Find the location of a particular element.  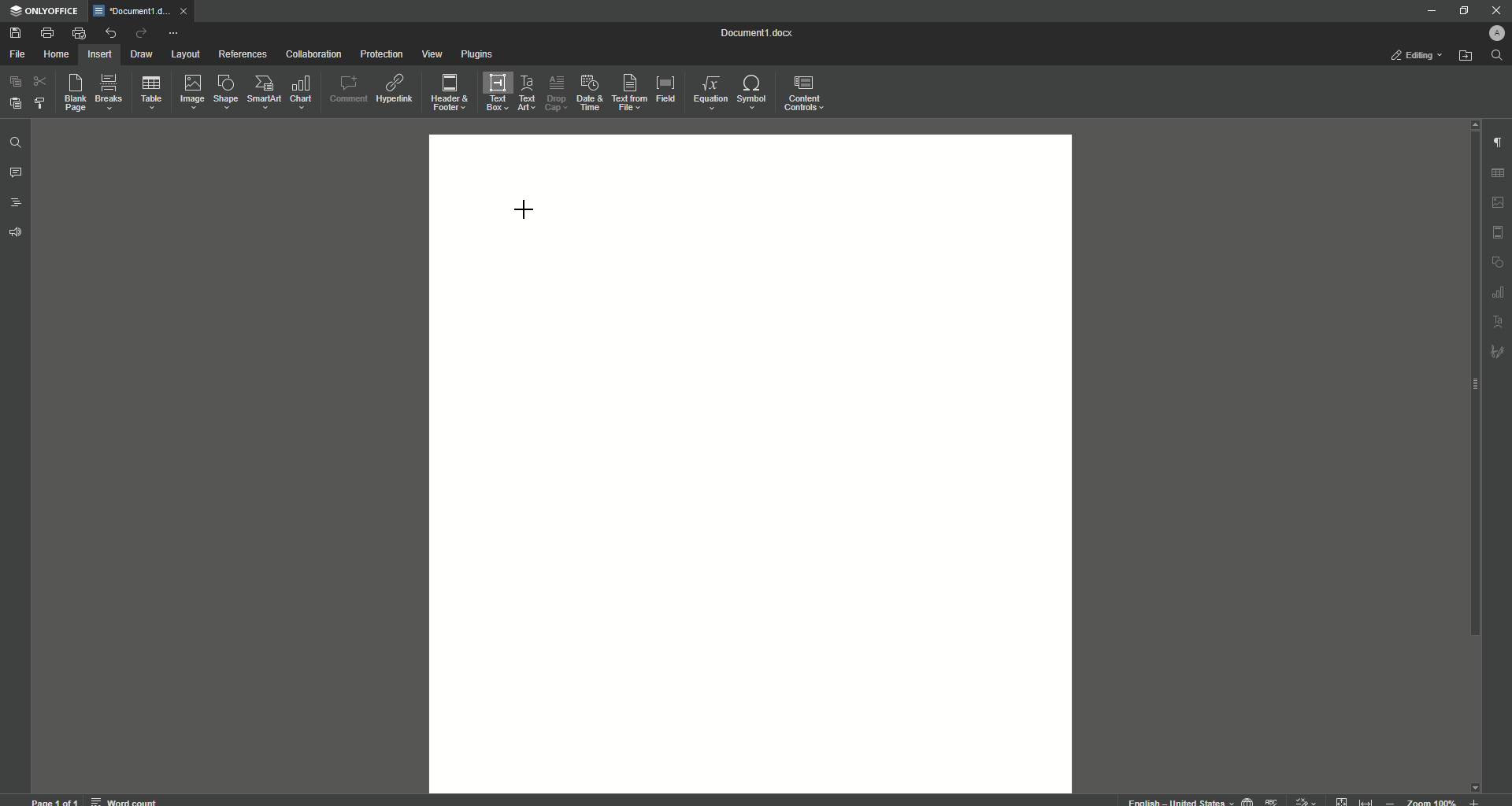

Find is located at coordinates (15, 144).